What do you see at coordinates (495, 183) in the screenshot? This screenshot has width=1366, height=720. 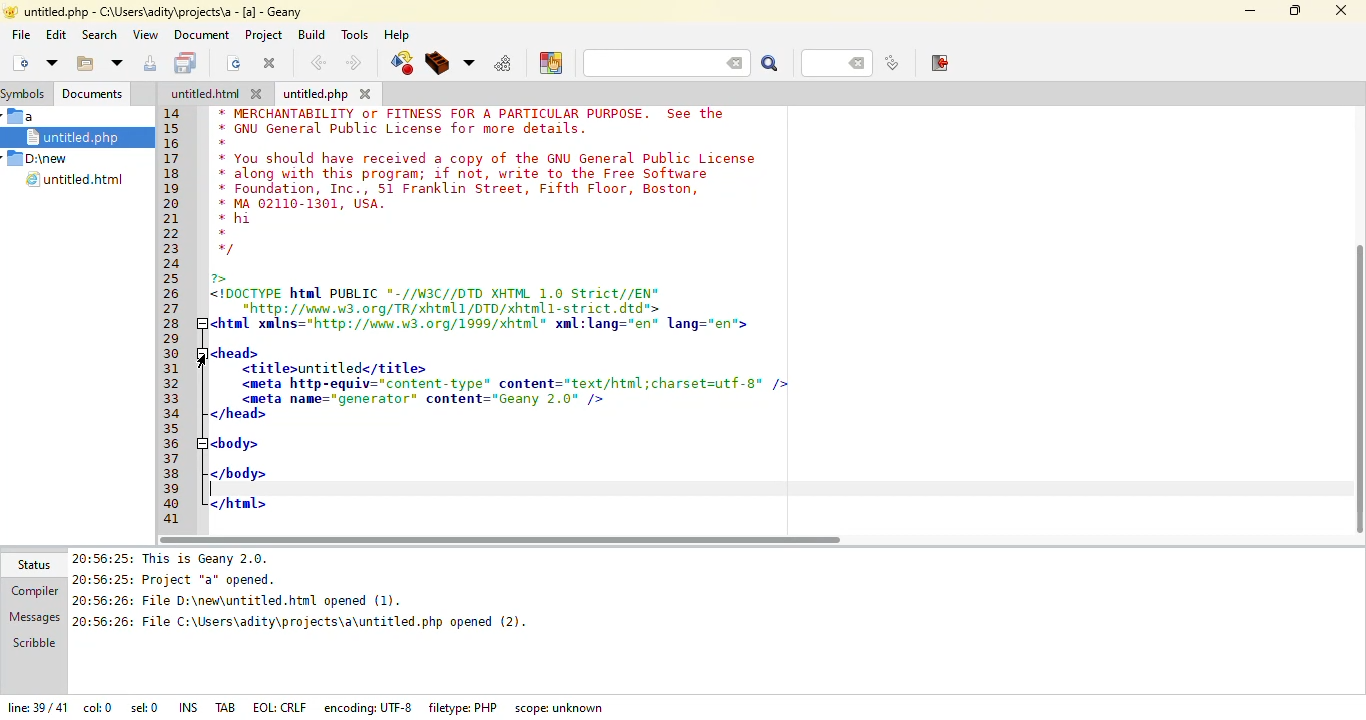 I see `* MERCHANTABILITY or FITNESS FOR A PARTICULAR PURPOSE. See the* GNU General Public License for more details.* You should have received a copy of the GNU General Public License* along with this program; if not, write to the Free Software* Foundation, Inc., 51 Franklin Street, Fifth Floor, Boston,* MA 02110-1301, USA.* hi * */` at bounding box center [495, 183].